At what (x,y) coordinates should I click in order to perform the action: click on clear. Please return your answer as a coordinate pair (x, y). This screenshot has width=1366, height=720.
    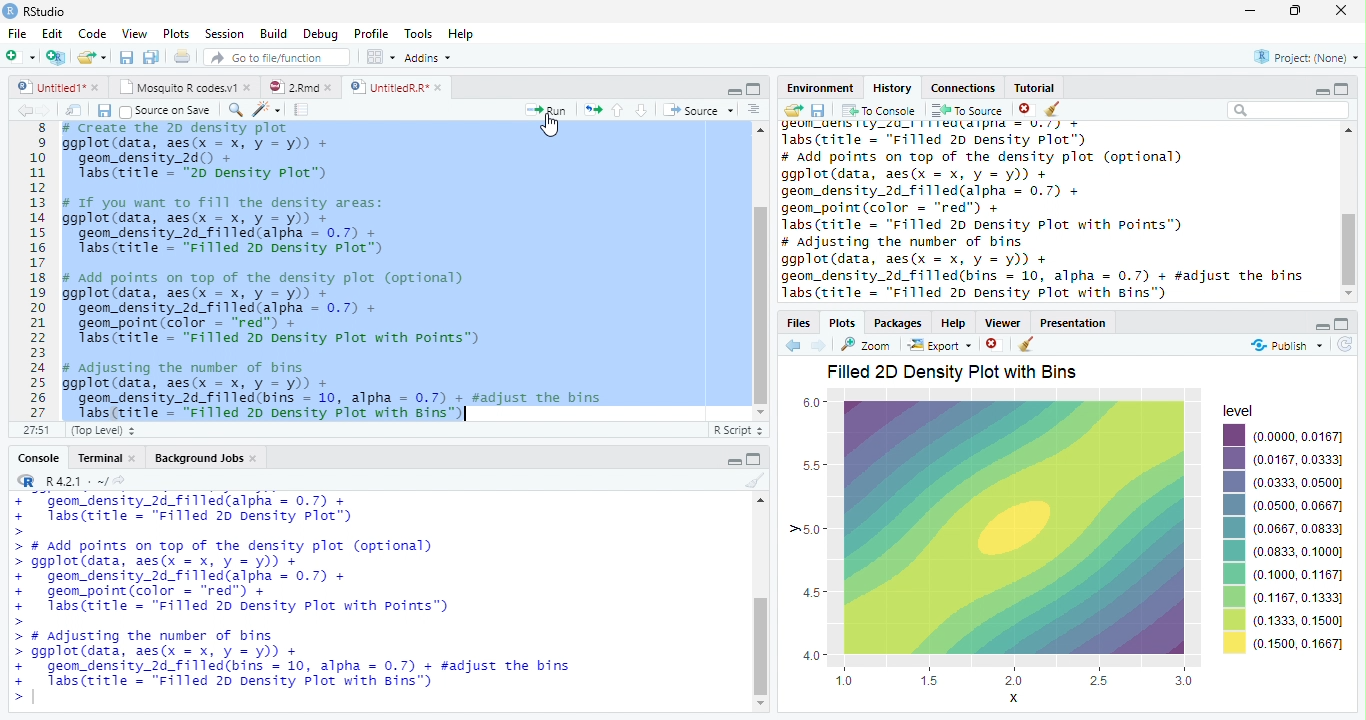
    Looking at the image, I should click on (1053, 110).